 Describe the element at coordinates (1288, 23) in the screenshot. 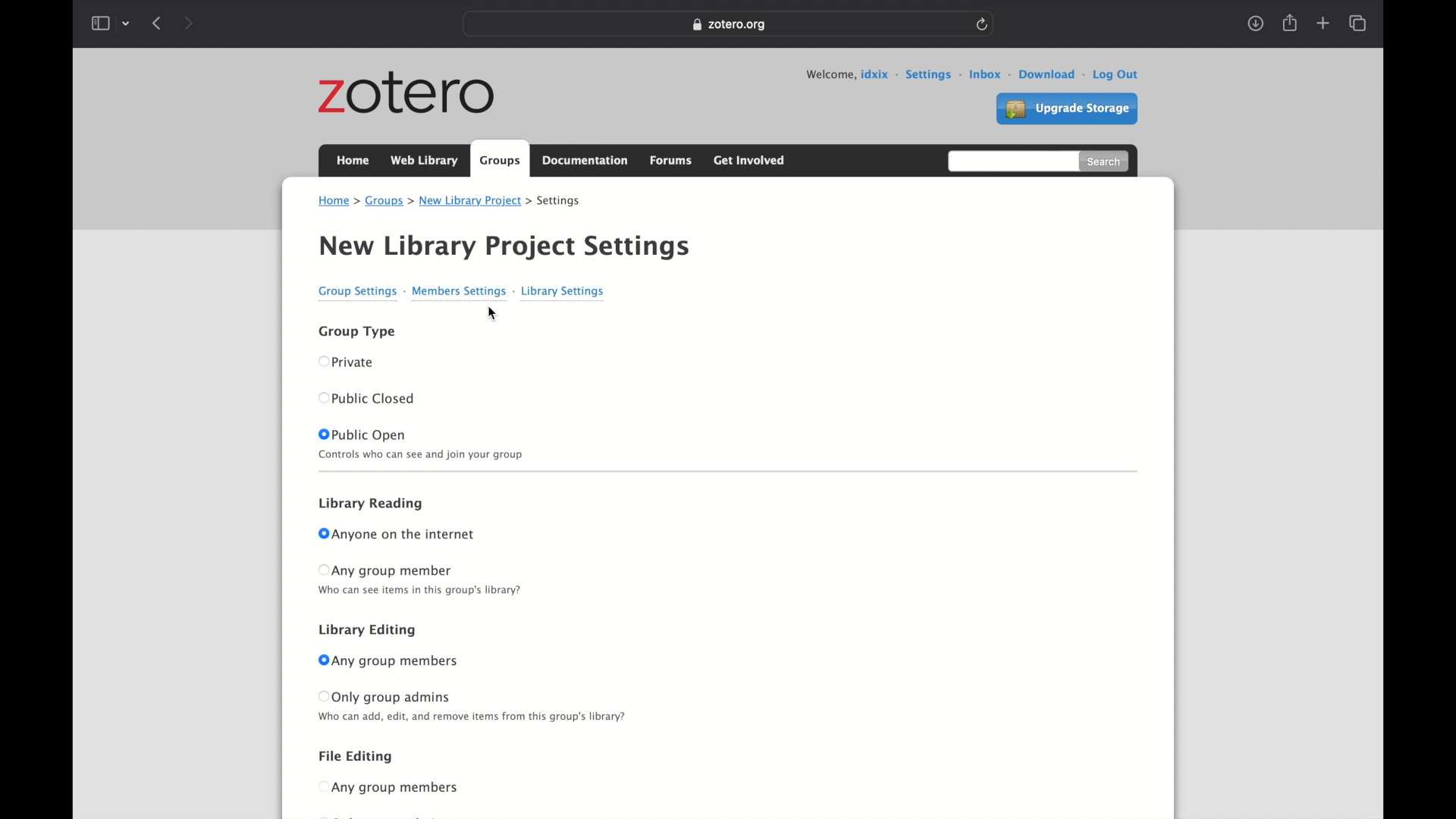

I see `share` at that location.